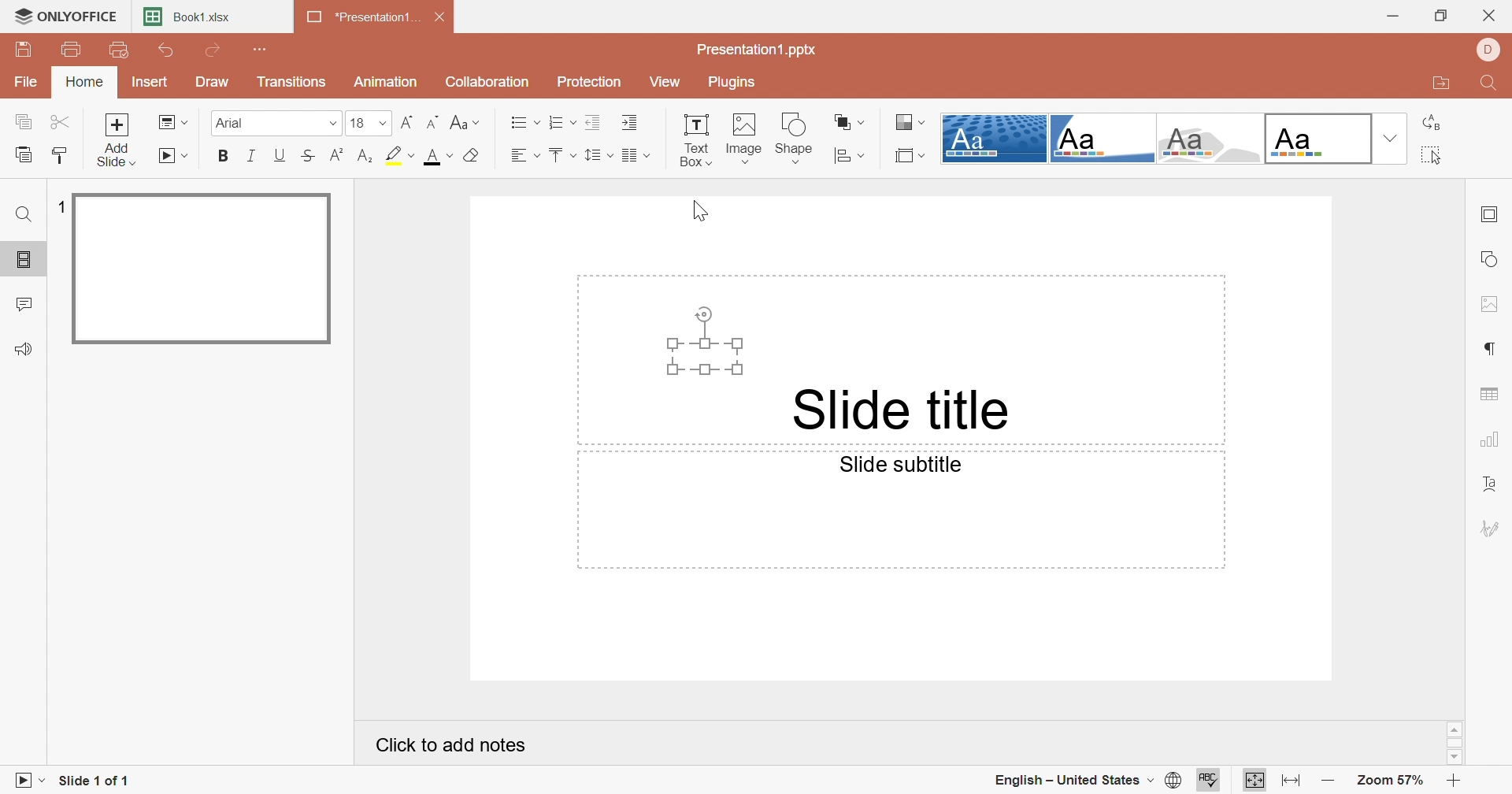 The width and height of the screenshot is (1512, 794). I want to click on Redo, so click(215, 50).